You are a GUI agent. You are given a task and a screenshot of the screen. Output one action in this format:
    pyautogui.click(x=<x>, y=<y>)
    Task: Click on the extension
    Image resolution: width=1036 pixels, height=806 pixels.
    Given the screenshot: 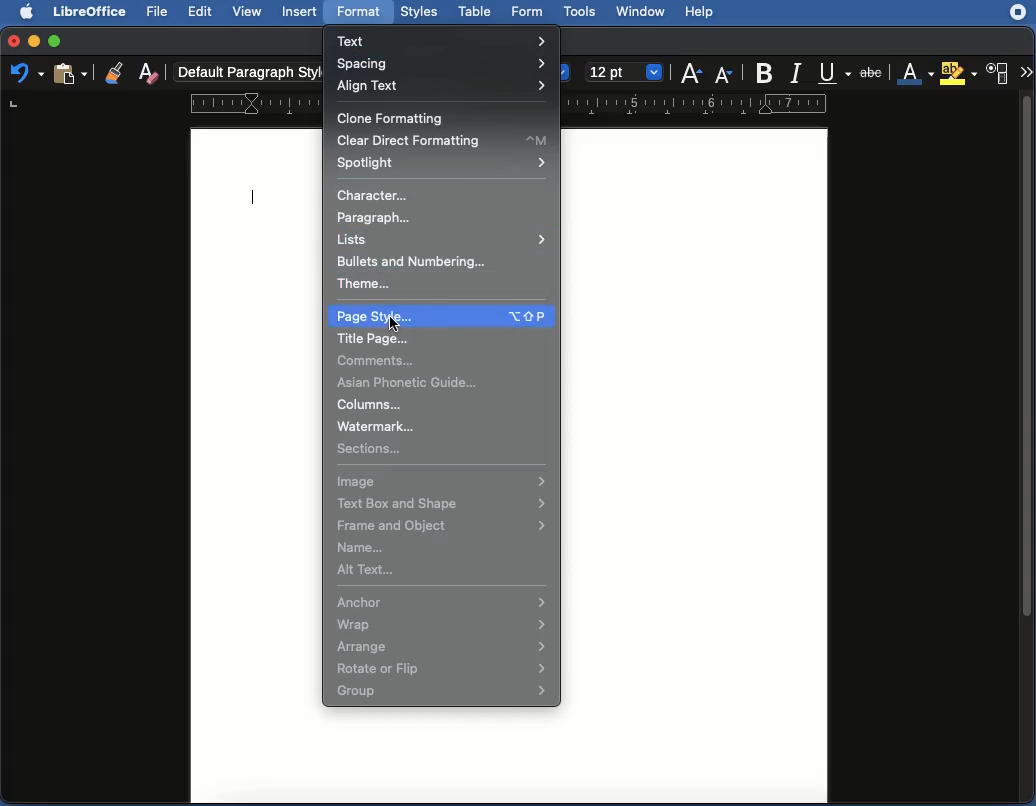 What is the action you would take?
    pyautogui.click(x=1017, y=16)
    